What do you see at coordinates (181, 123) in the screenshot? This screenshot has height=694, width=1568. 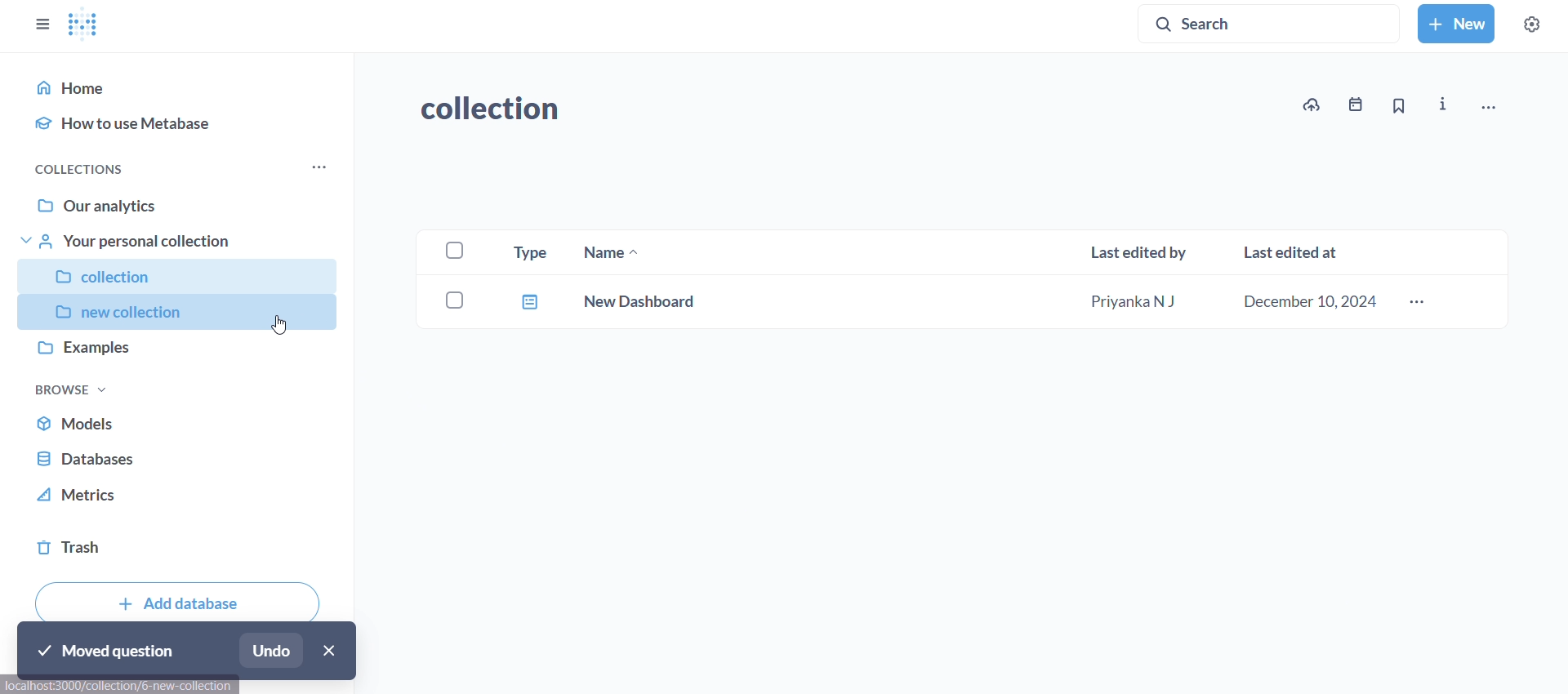 I see `how to use metabase ` at bounding box center [181, 123].